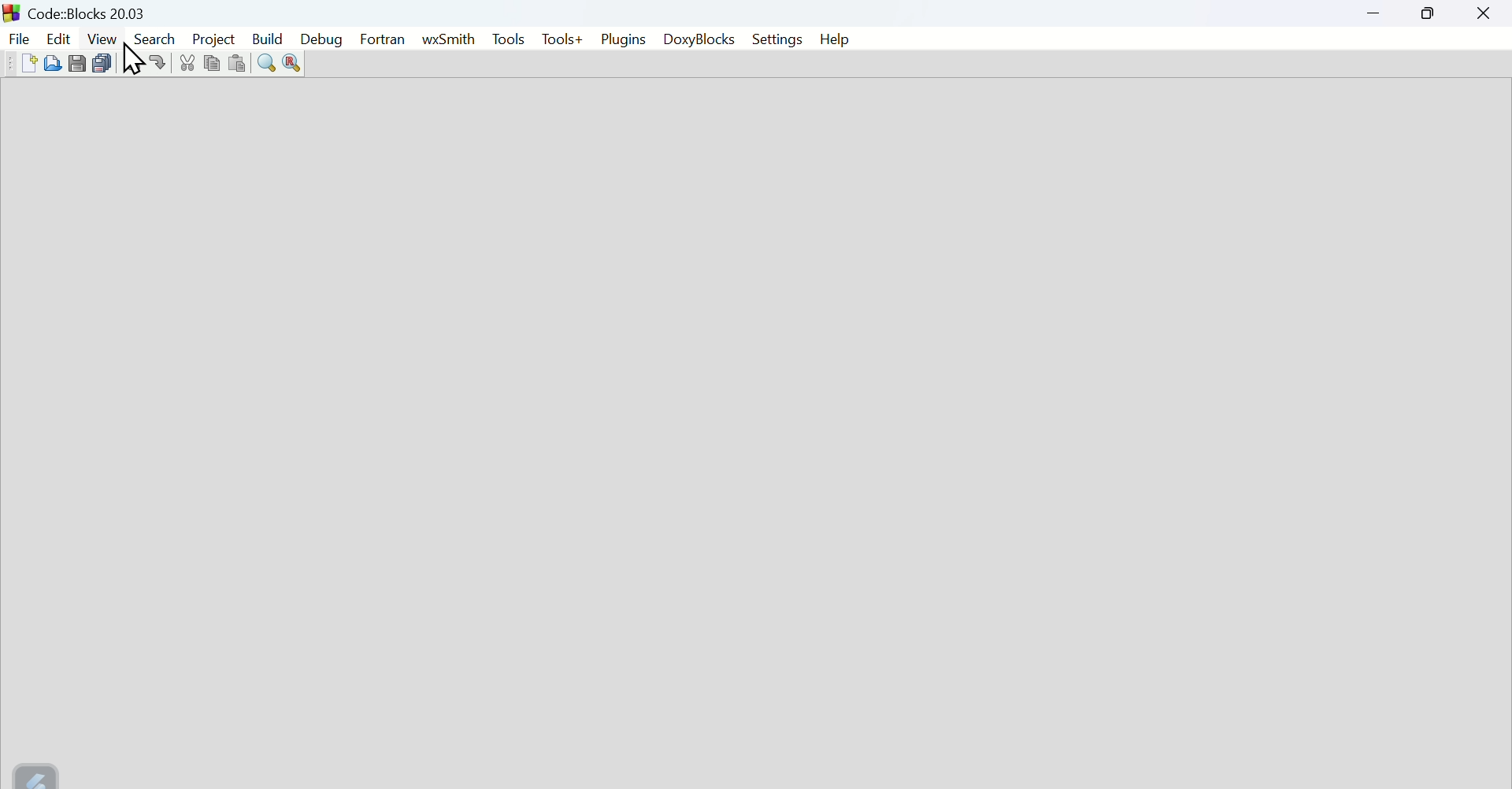 The width and height of the screenshot is (1512, 789). I want to click on Wx Smith, so click(447, 40).